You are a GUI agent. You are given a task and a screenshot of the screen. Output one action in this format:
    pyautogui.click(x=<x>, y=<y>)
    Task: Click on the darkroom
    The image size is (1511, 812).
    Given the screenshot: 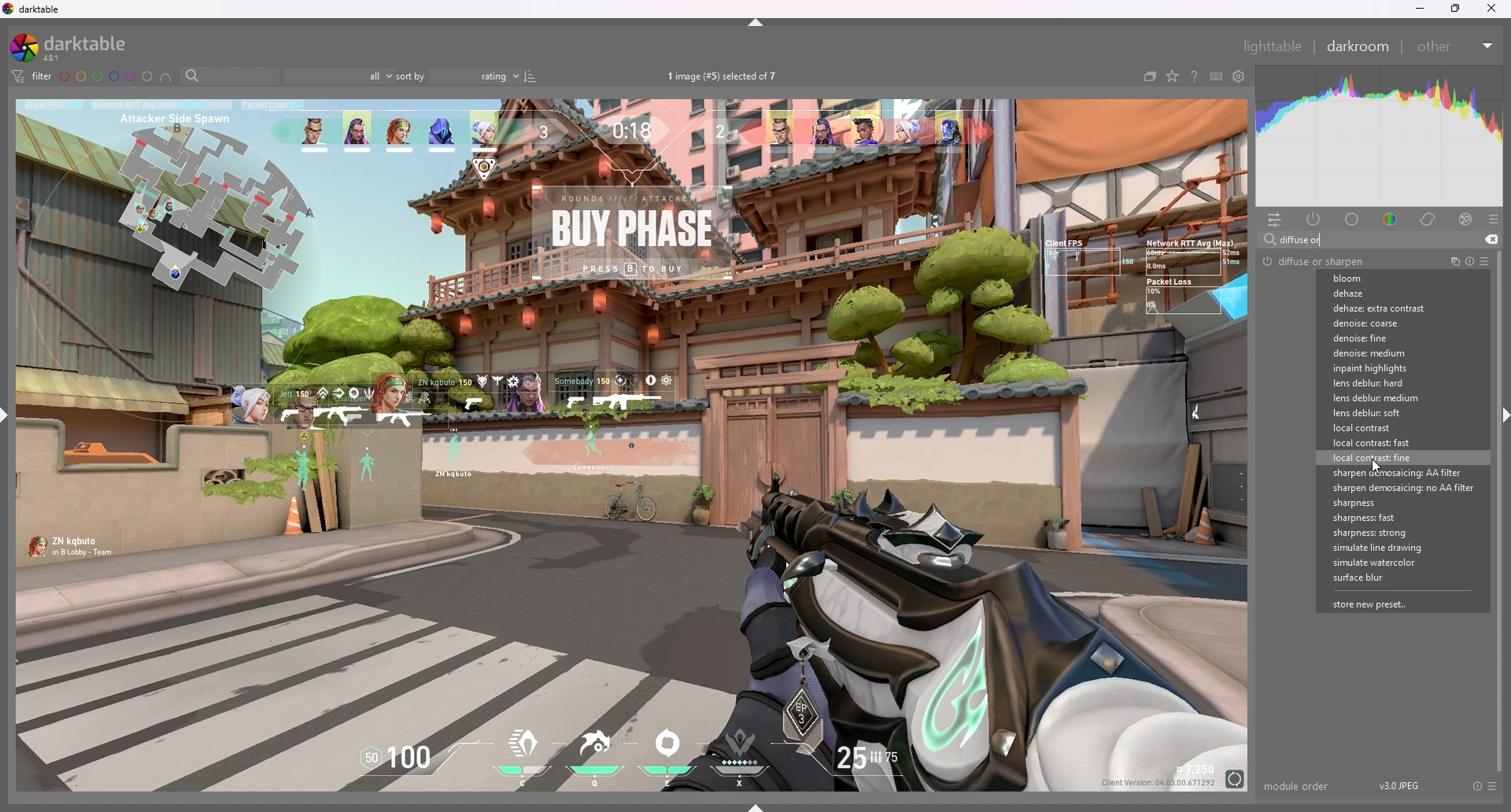 What is the action you would take?
    pyautogui.click(x=1361, y=46)
    